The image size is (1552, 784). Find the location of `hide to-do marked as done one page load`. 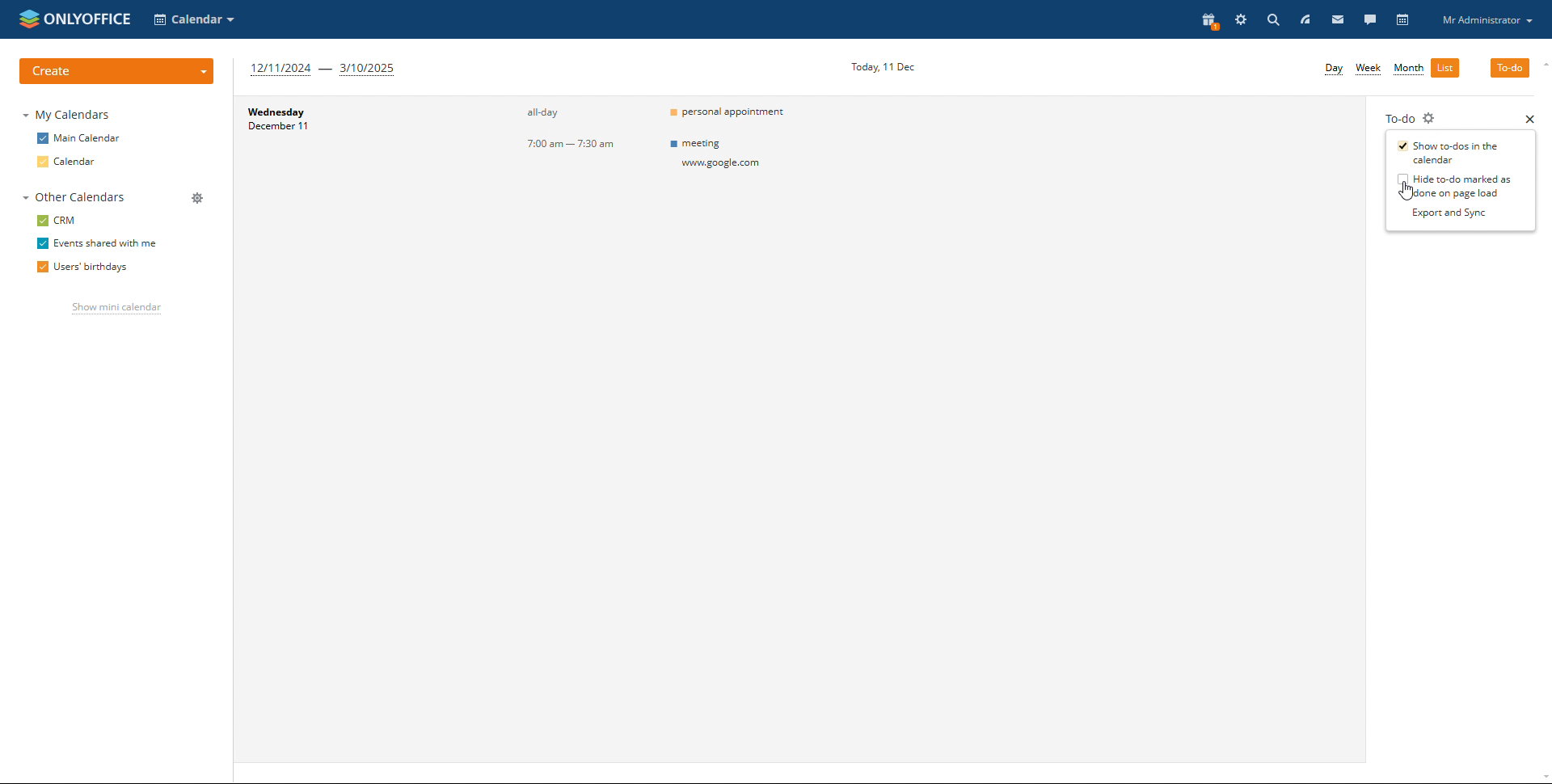

hide to-do marked as done one page load is located at coordinates (1455, 186).